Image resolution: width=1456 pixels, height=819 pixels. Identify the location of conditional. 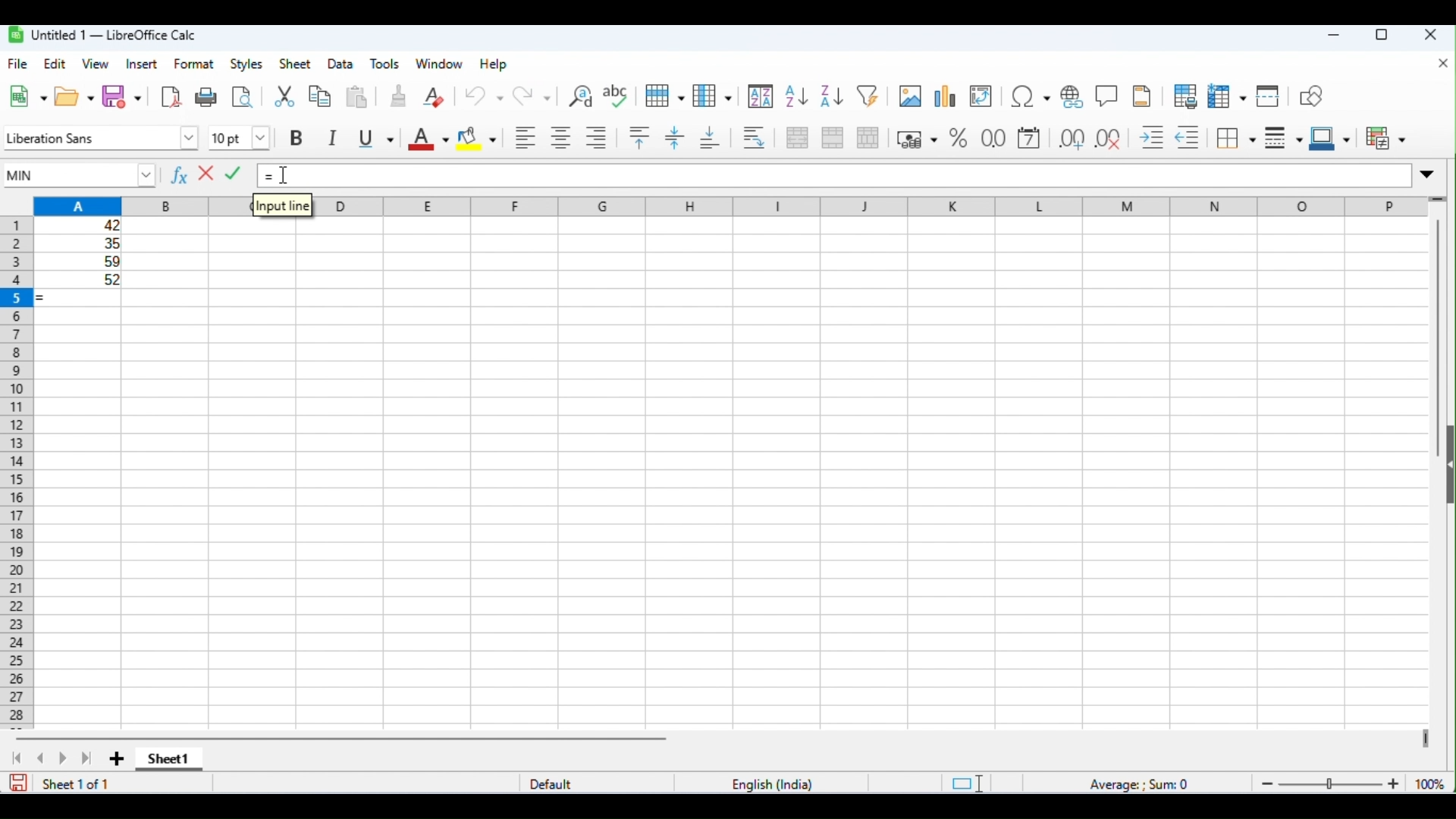
(1384, 139).